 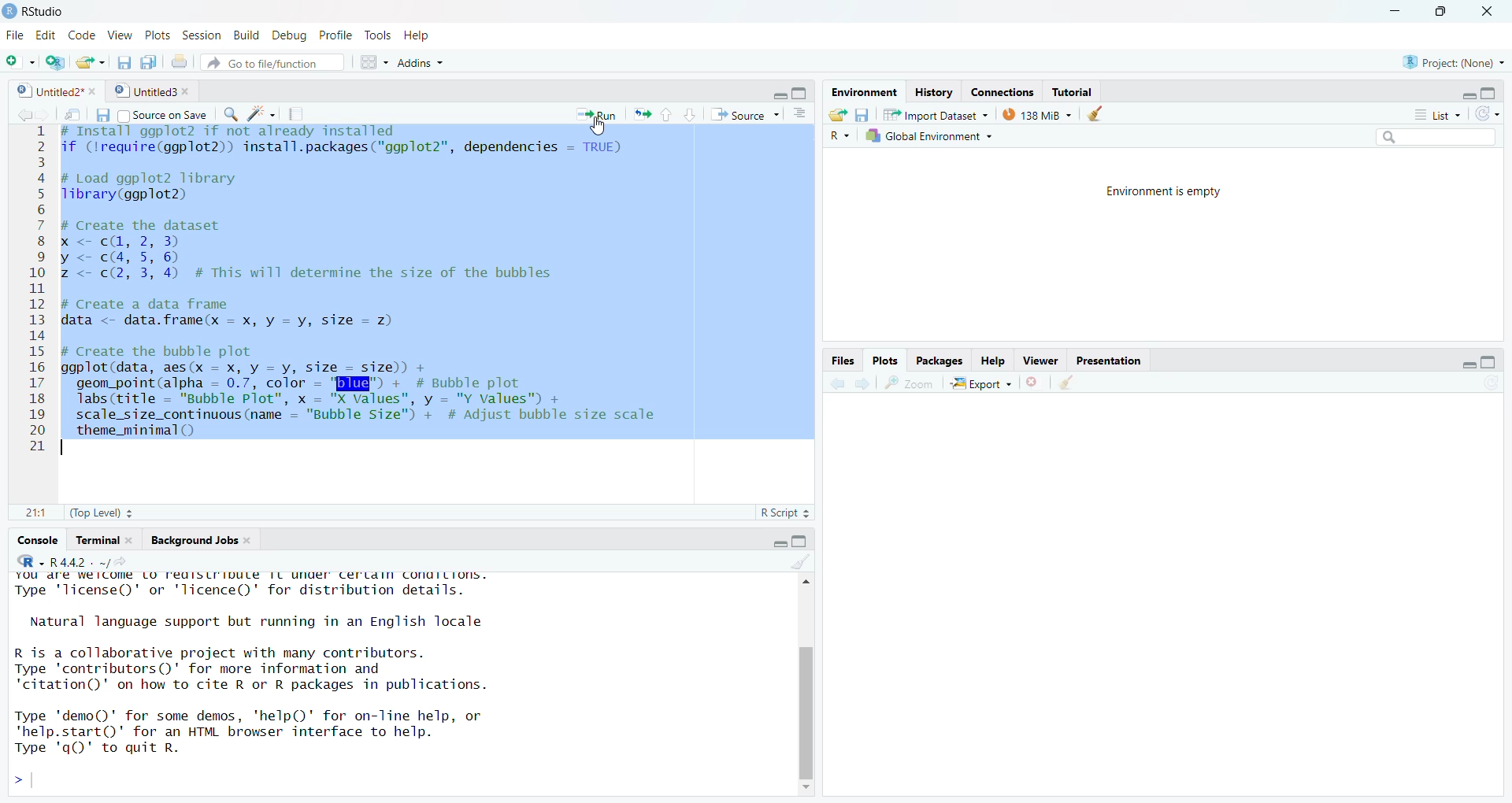 I want to click on workspaces panes, so click(x=370, y=62).